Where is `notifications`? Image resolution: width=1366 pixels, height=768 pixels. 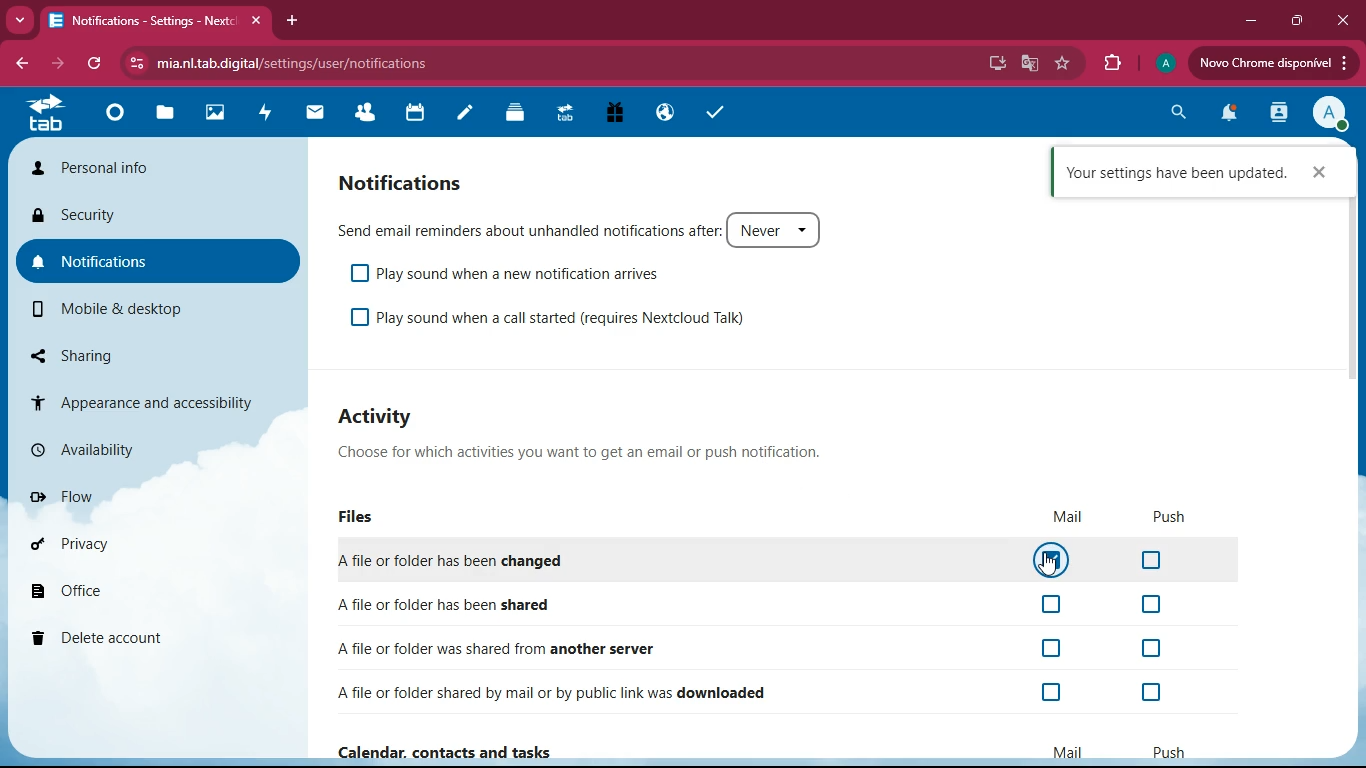 notifications is located at coordinates (1229, 115).